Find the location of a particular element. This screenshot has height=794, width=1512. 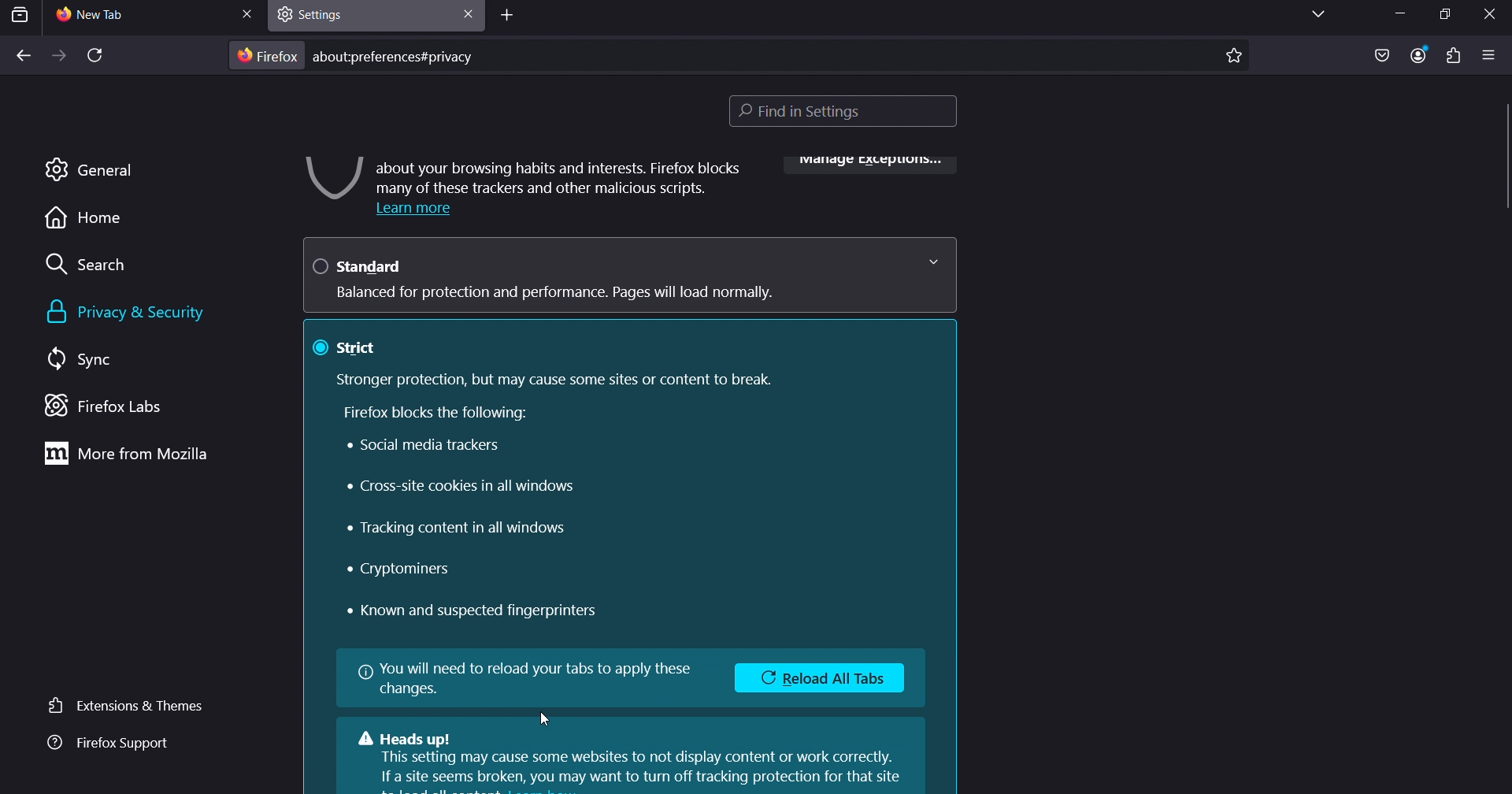

extensions is located at coordinates (1451, 56).